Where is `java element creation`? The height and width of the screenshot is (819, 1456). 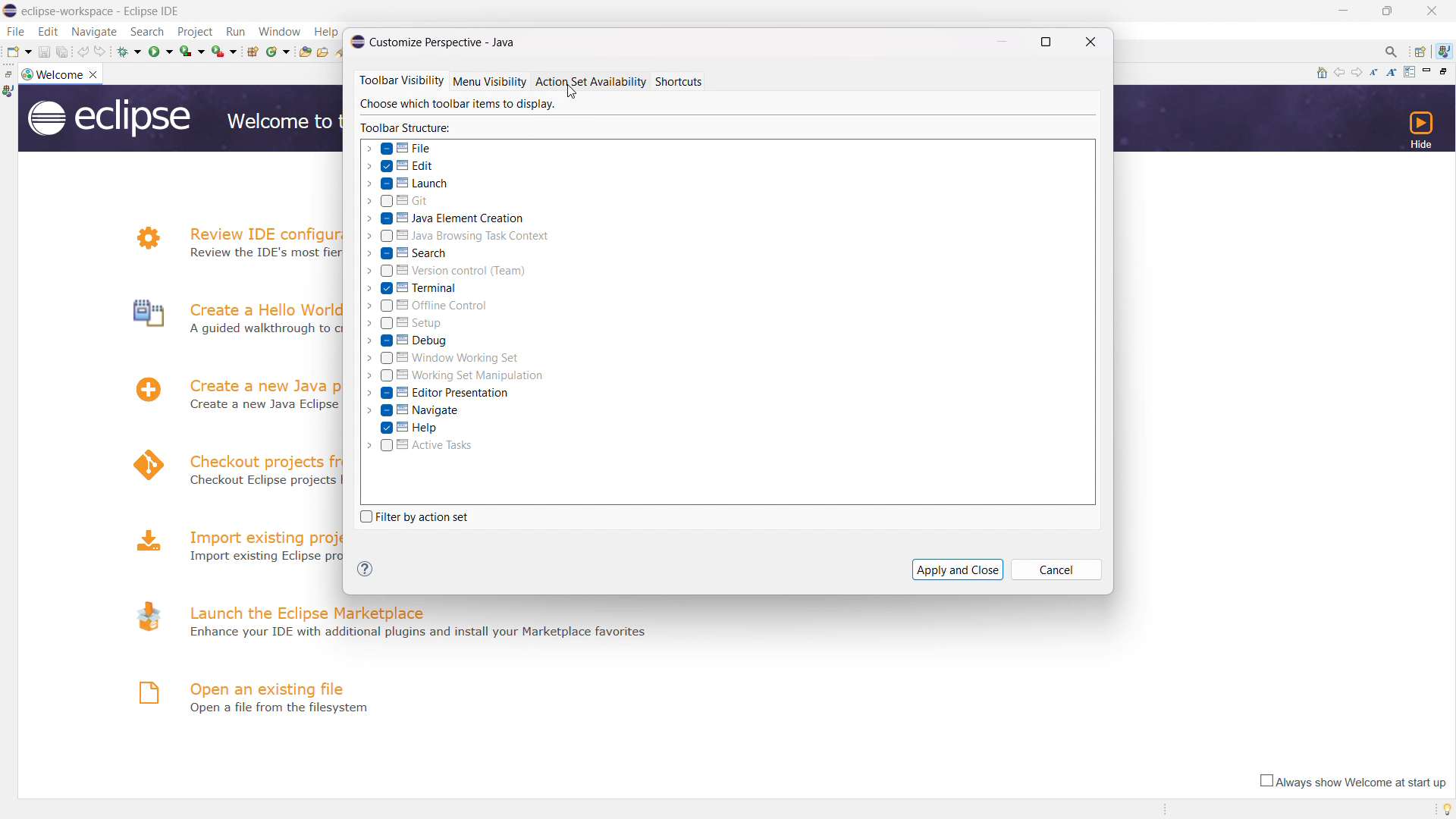
java element creation is located at coordinates (444, 218).